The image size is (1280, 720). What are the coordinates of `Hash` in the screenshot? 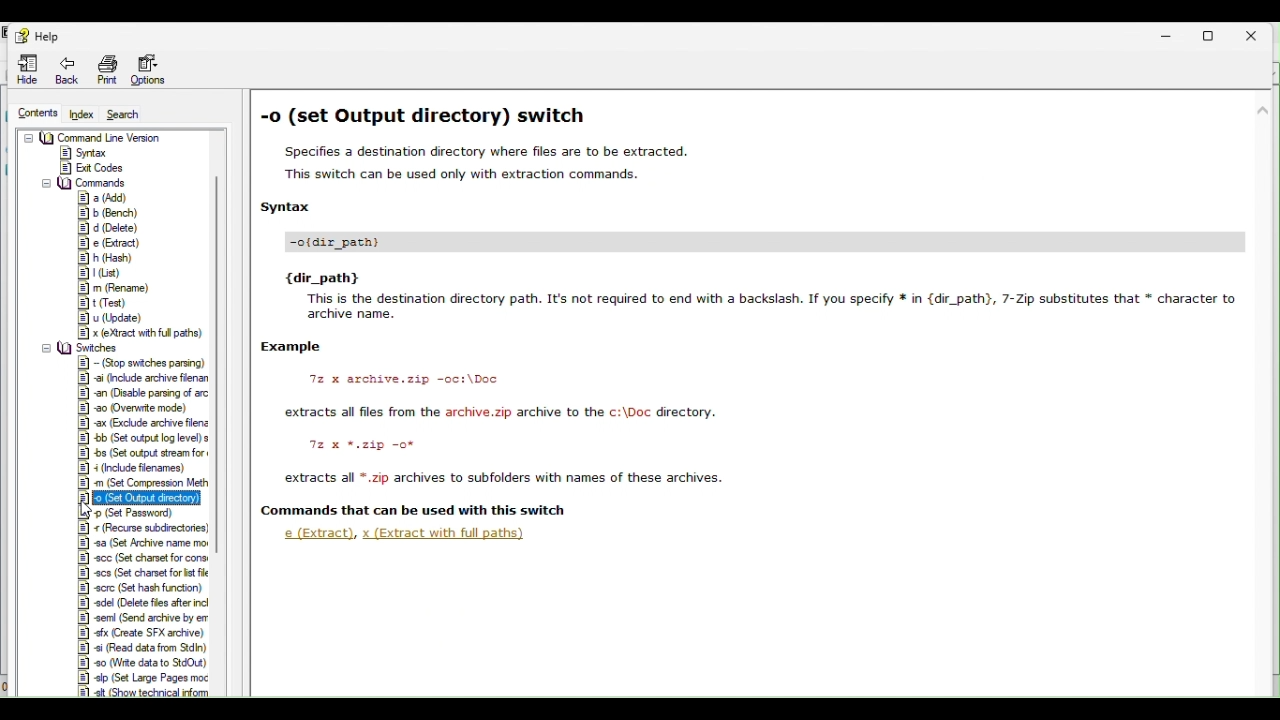 It's located at (103, 260).